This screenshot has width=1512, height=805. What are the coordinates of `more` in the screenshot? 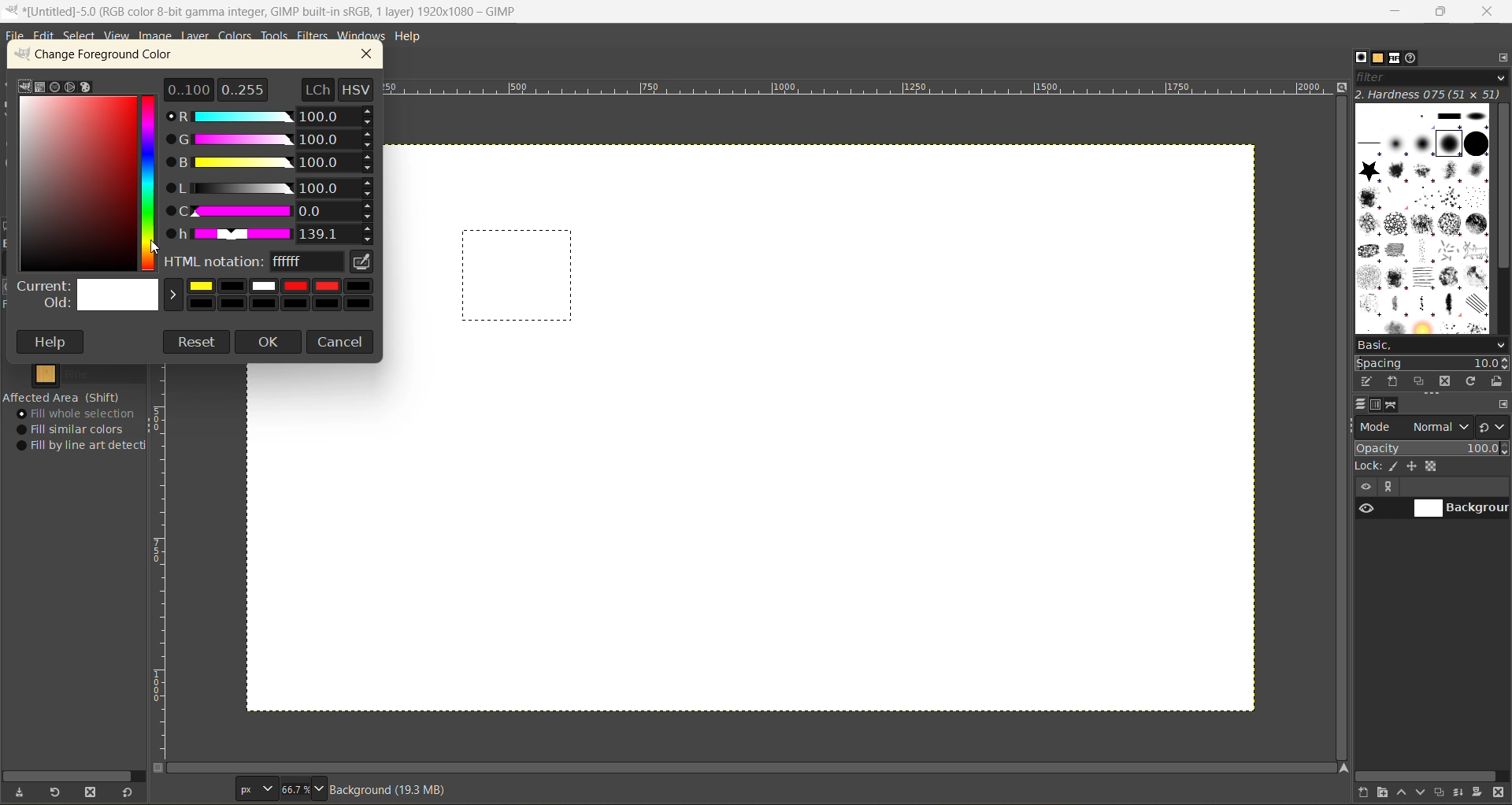 It's located at (1393, 488).